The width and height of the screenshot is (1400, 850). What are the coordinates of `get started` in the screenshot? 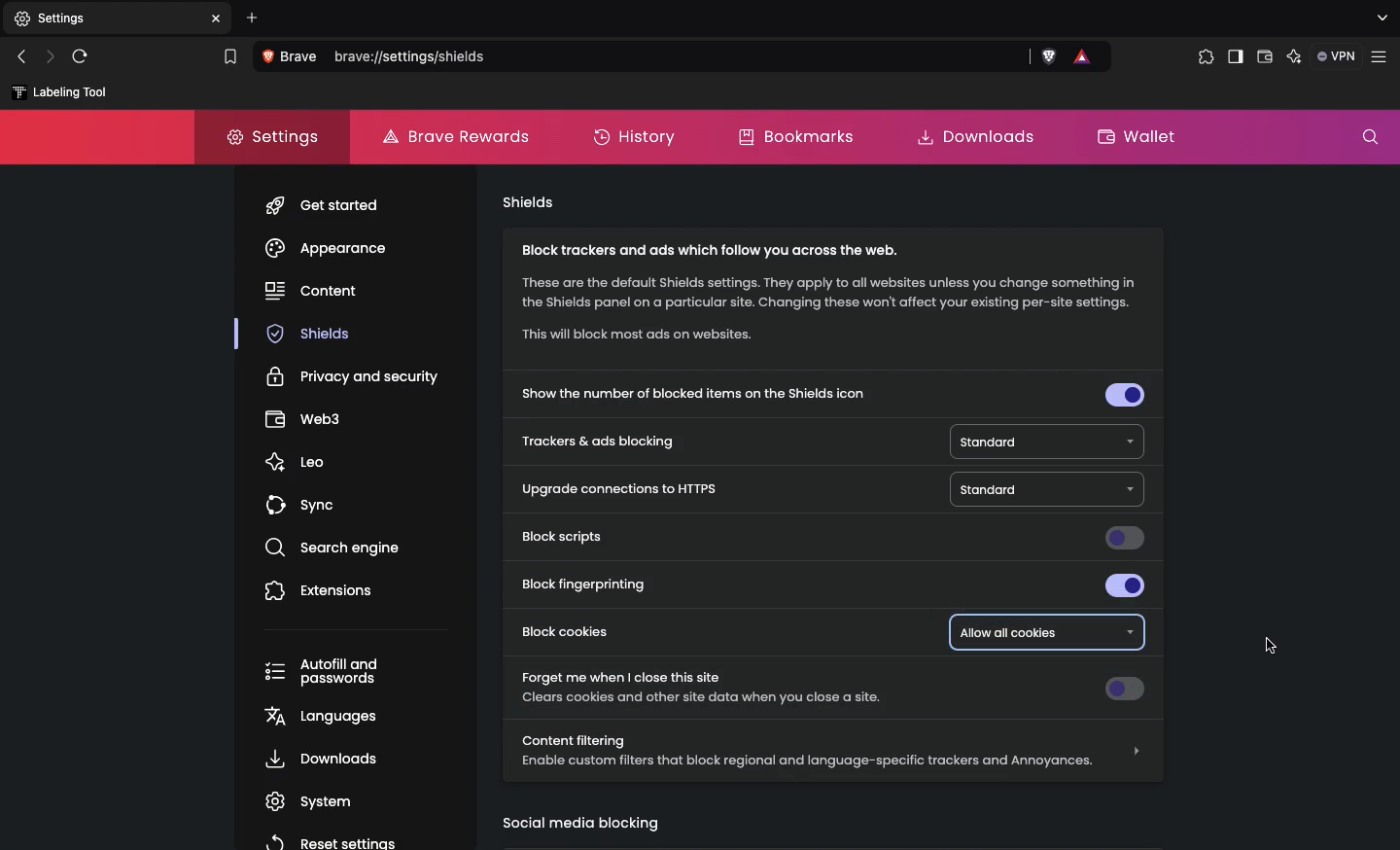 It's located at (334, 204).